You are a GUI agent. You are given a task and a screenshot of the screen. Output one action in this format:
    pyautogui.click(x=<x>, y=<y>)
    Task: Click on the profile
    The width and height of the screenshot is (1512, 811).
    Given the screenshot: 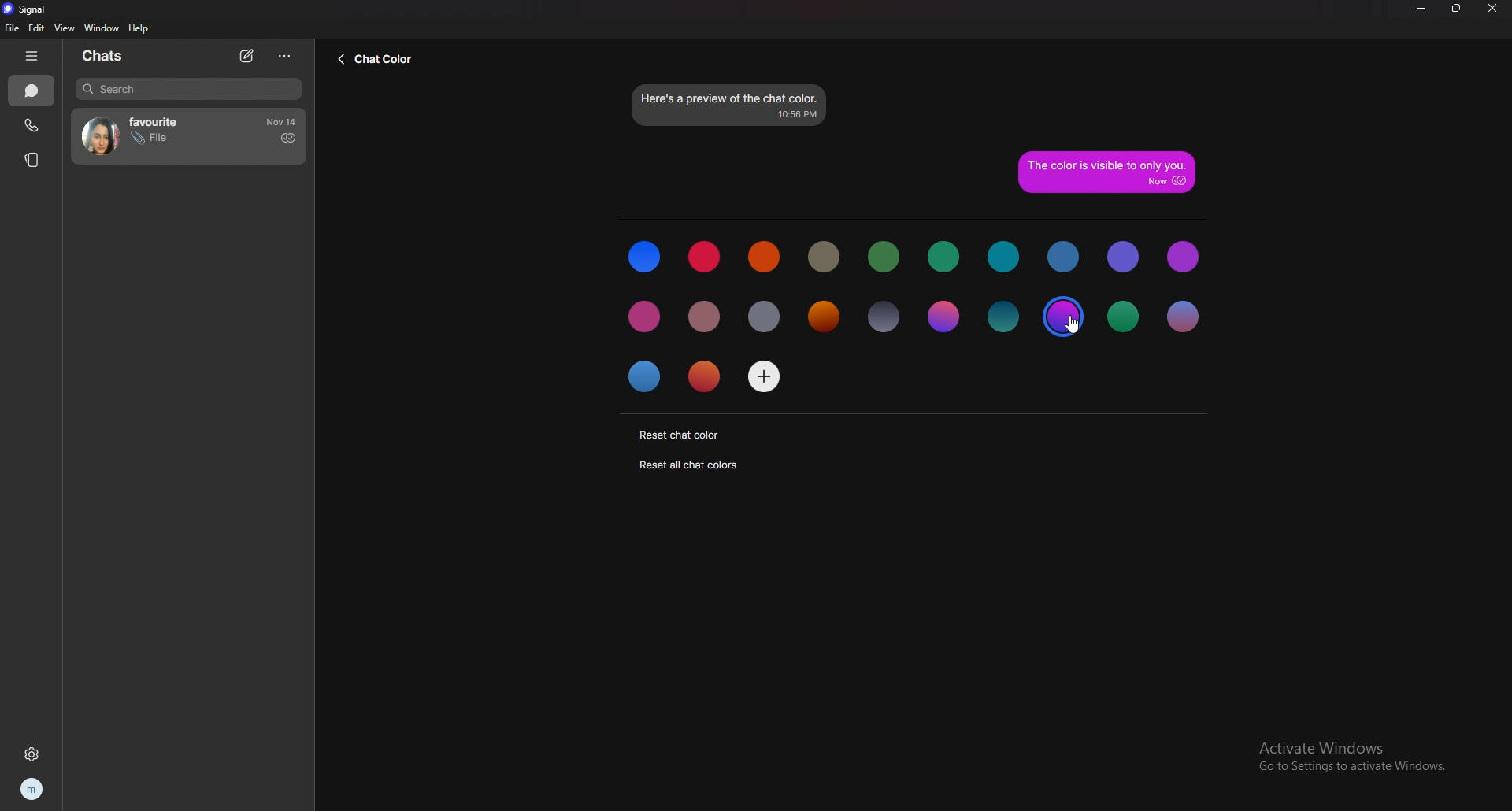 What is the action you would take?
    pyautogui.click(x=33, y=787)
    